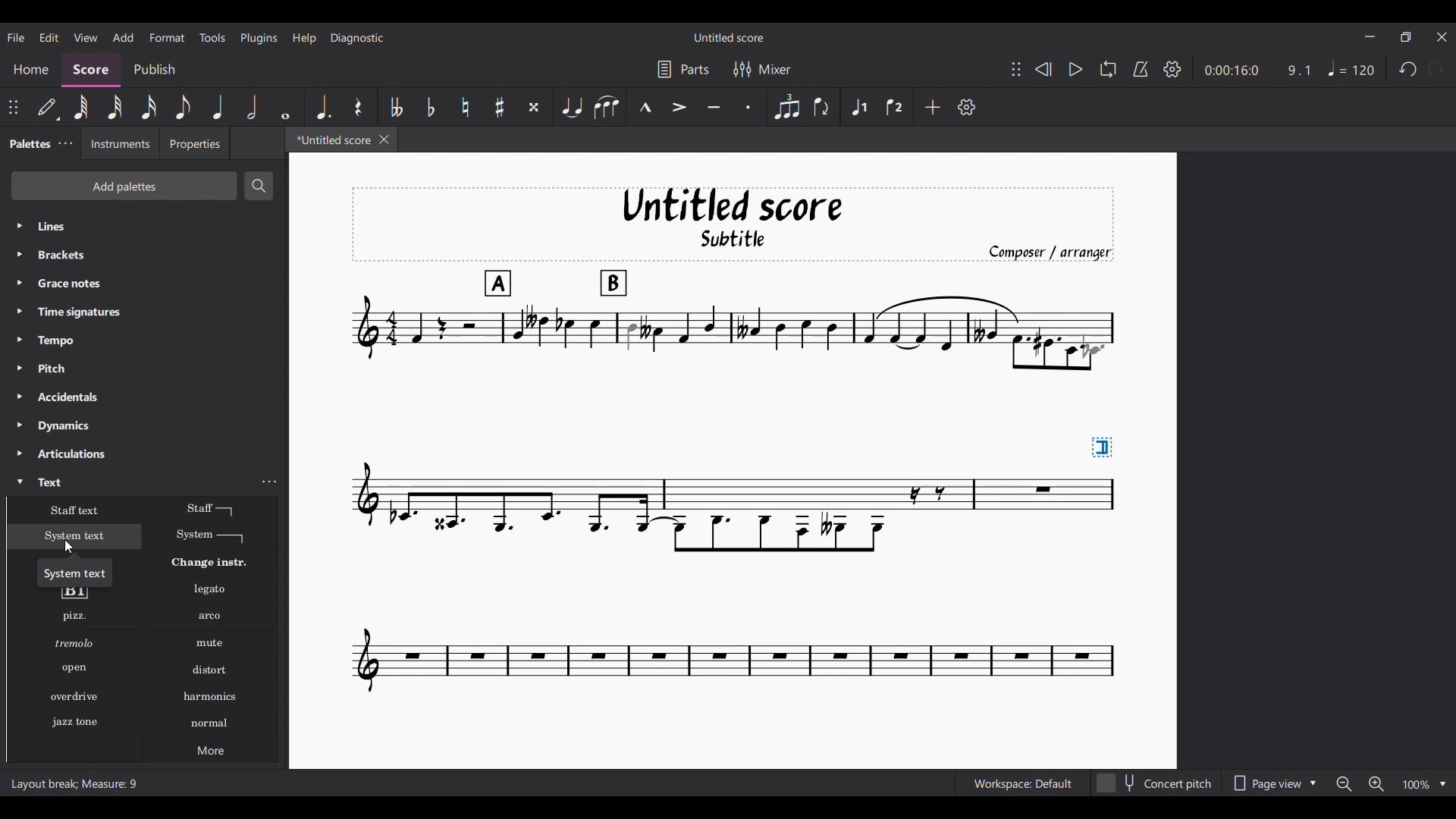 The image size is (1456, 819). What do you see at coordinates (210, 749) in the screenshot?
I see `More` at bounding box center [210, 749].